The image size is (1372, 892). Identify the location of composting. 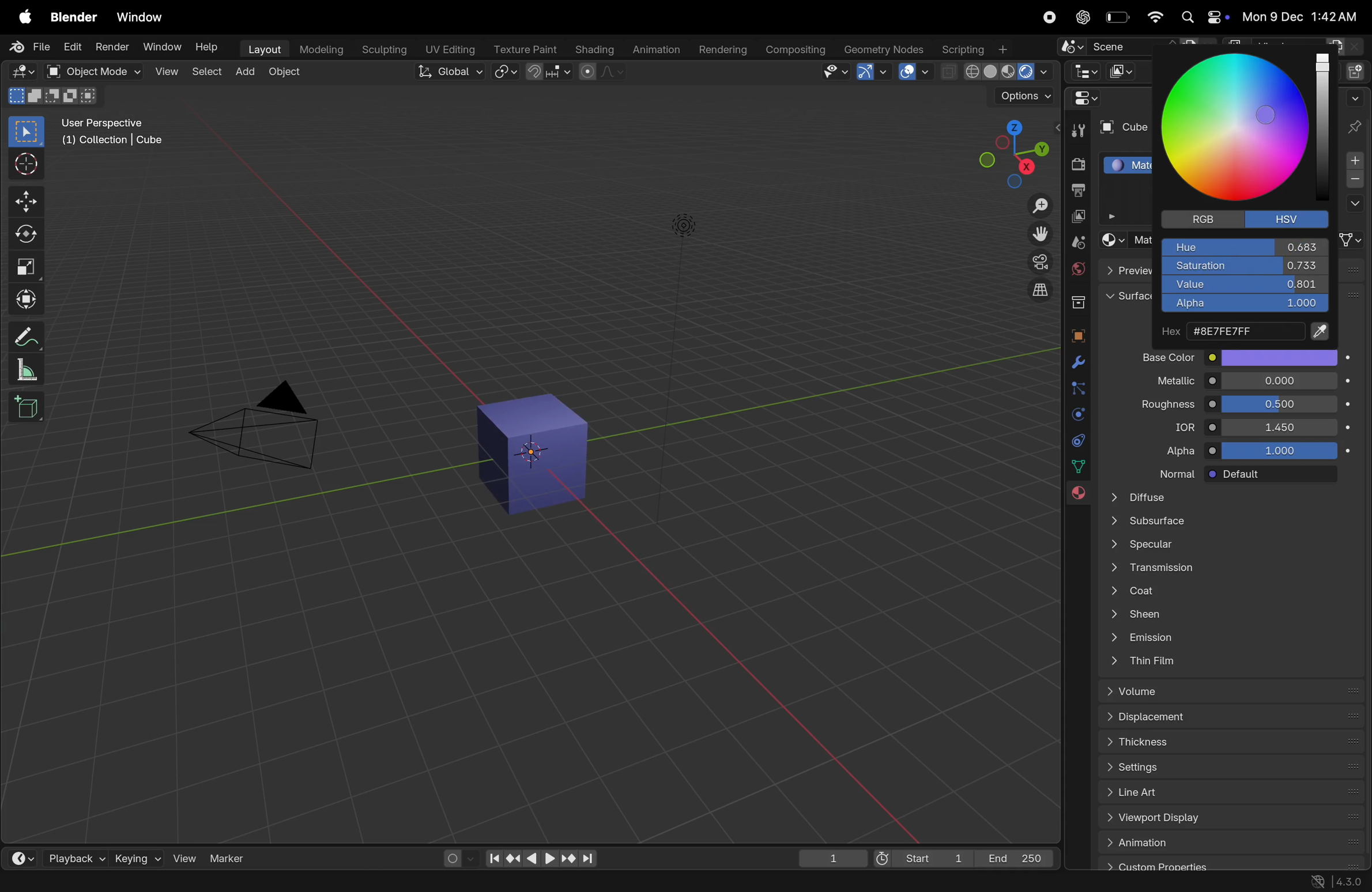
(796, 50).